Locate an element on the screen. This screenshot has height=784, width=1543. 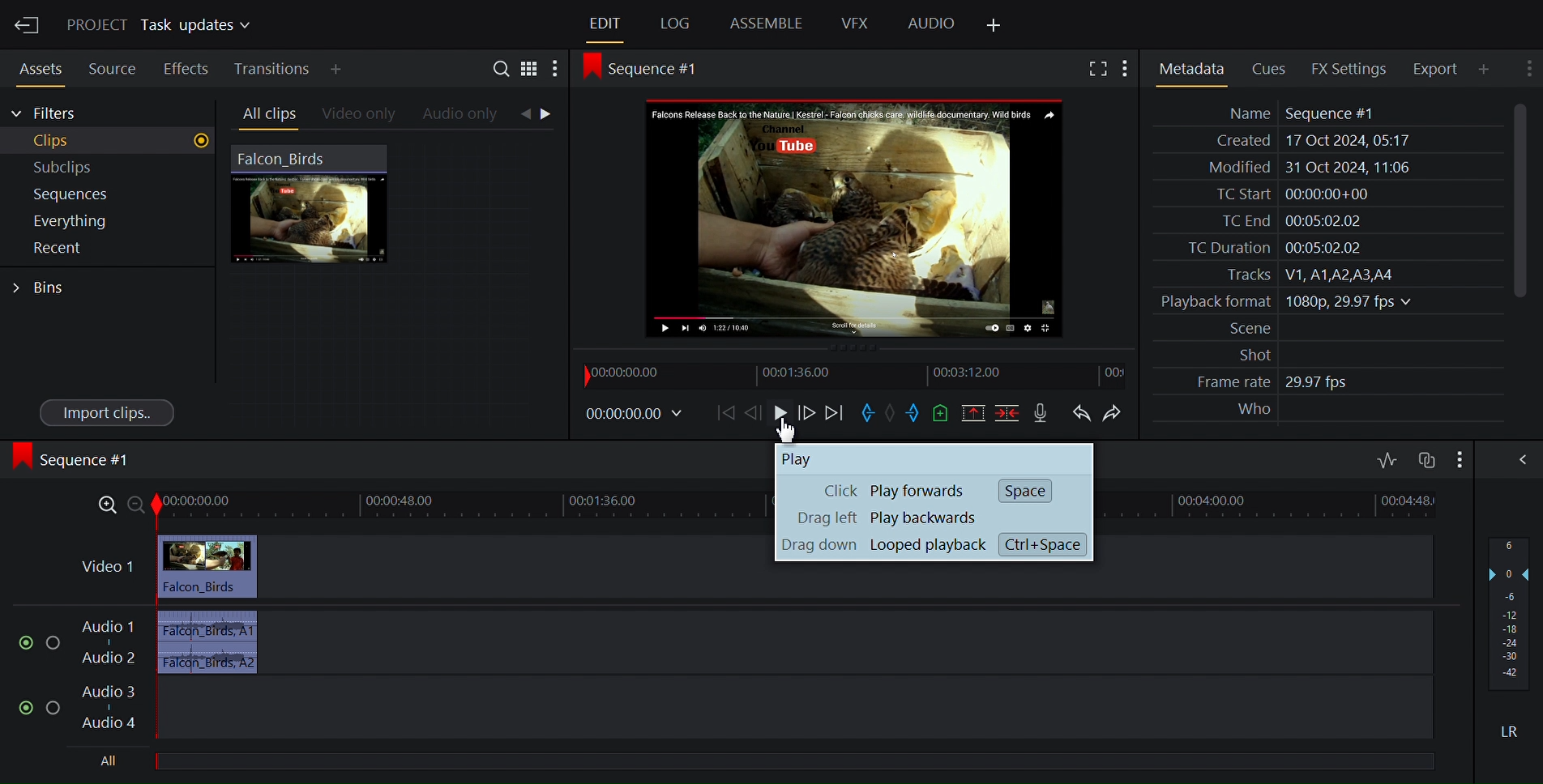
Add Panel is located at coordinates (336, 68).